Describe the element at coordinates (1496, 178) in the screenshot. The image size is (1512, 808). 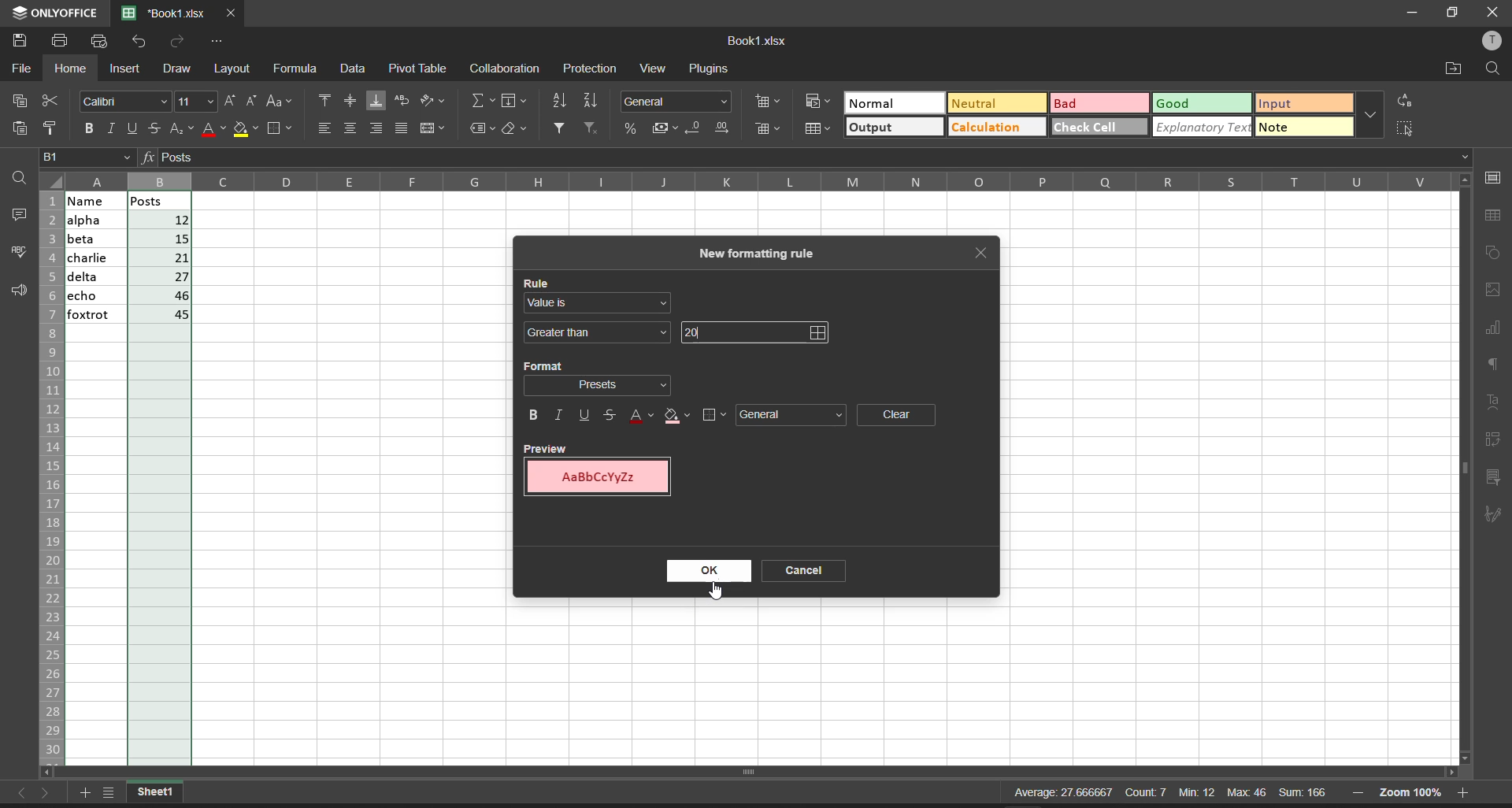
I see `cell settings` at that location.